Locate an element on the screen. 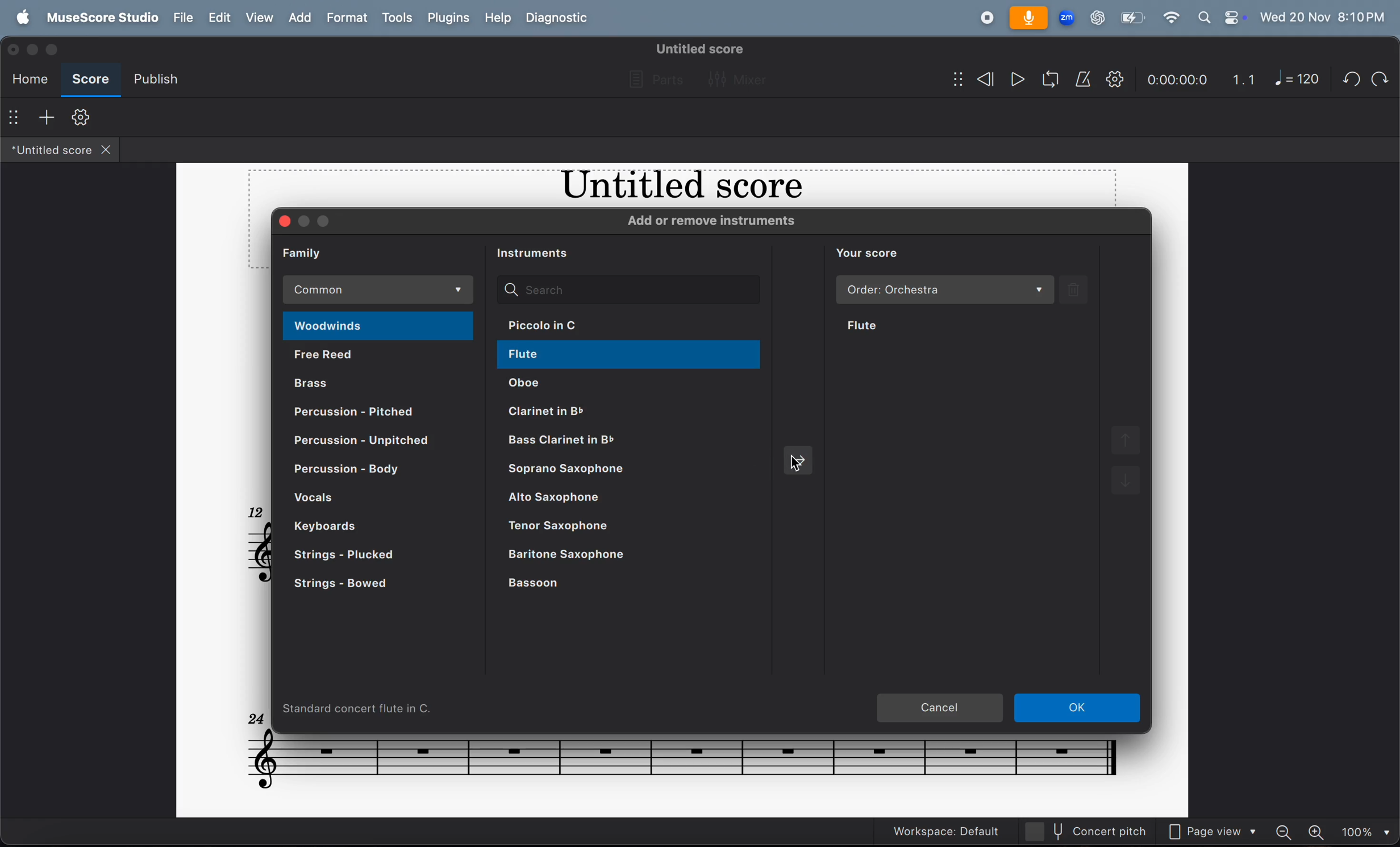  page view is located at coordinates (1212, 832).